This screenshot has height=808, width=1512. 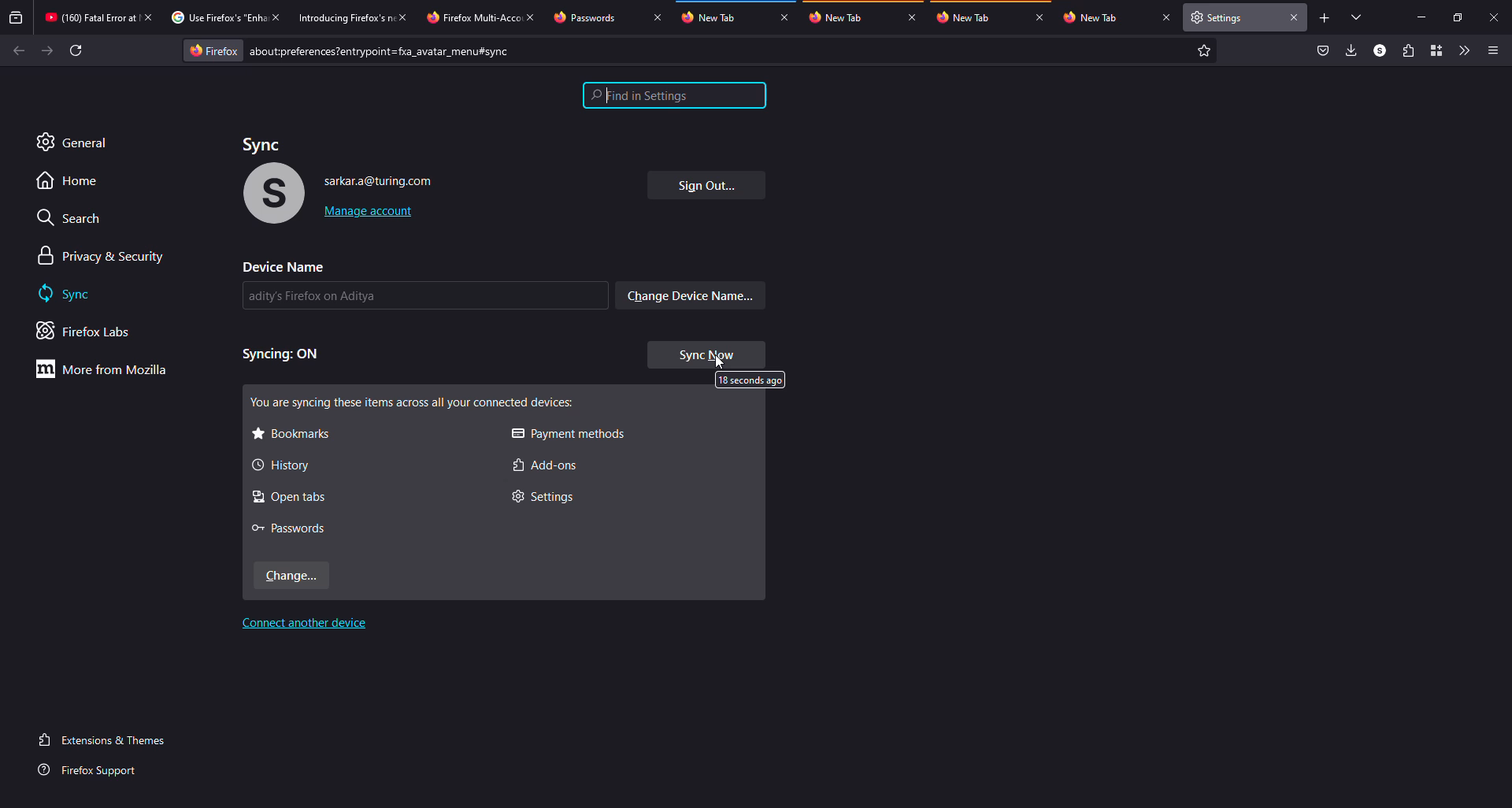 What do you see at coordinates (85, 17) in the screenshot?
I see `tab` at bounding box center [85, 17].